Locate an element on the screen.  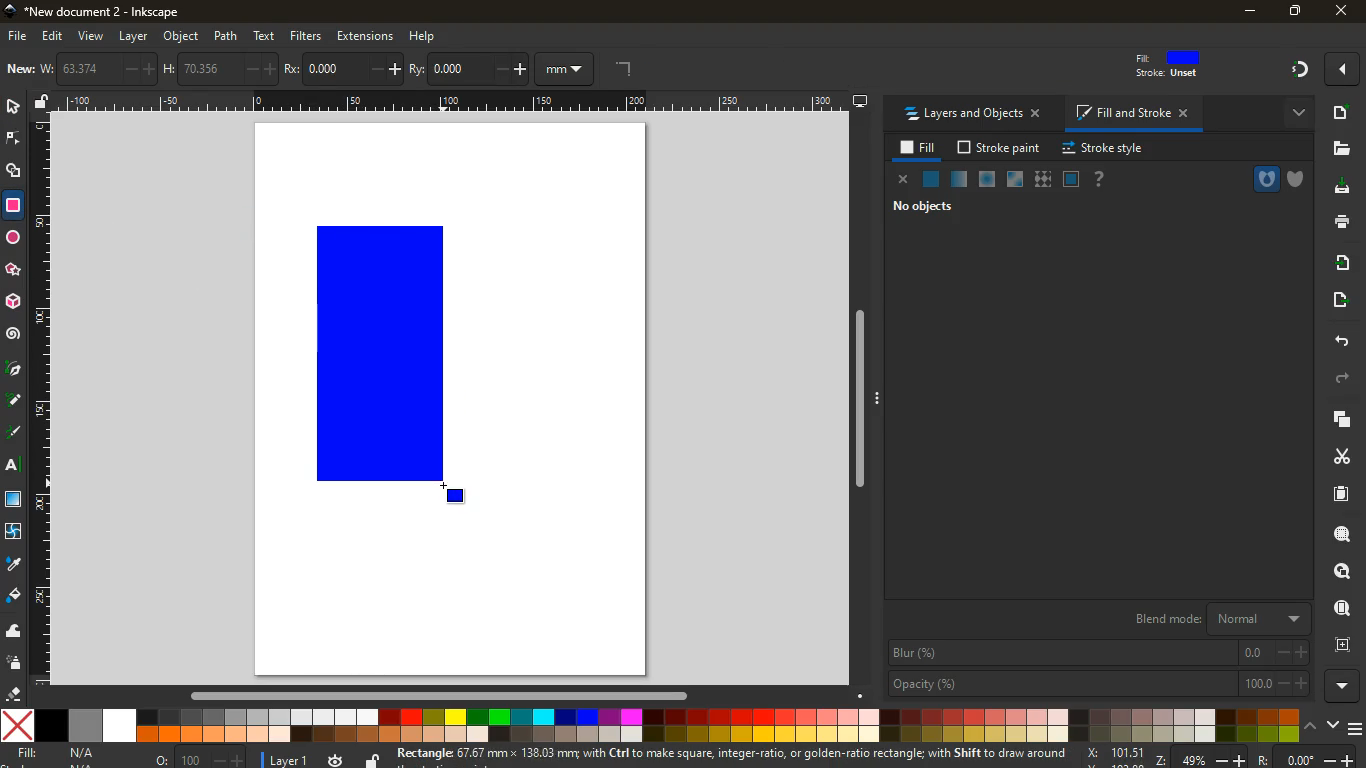
down is located at coordinates (1332, 726).